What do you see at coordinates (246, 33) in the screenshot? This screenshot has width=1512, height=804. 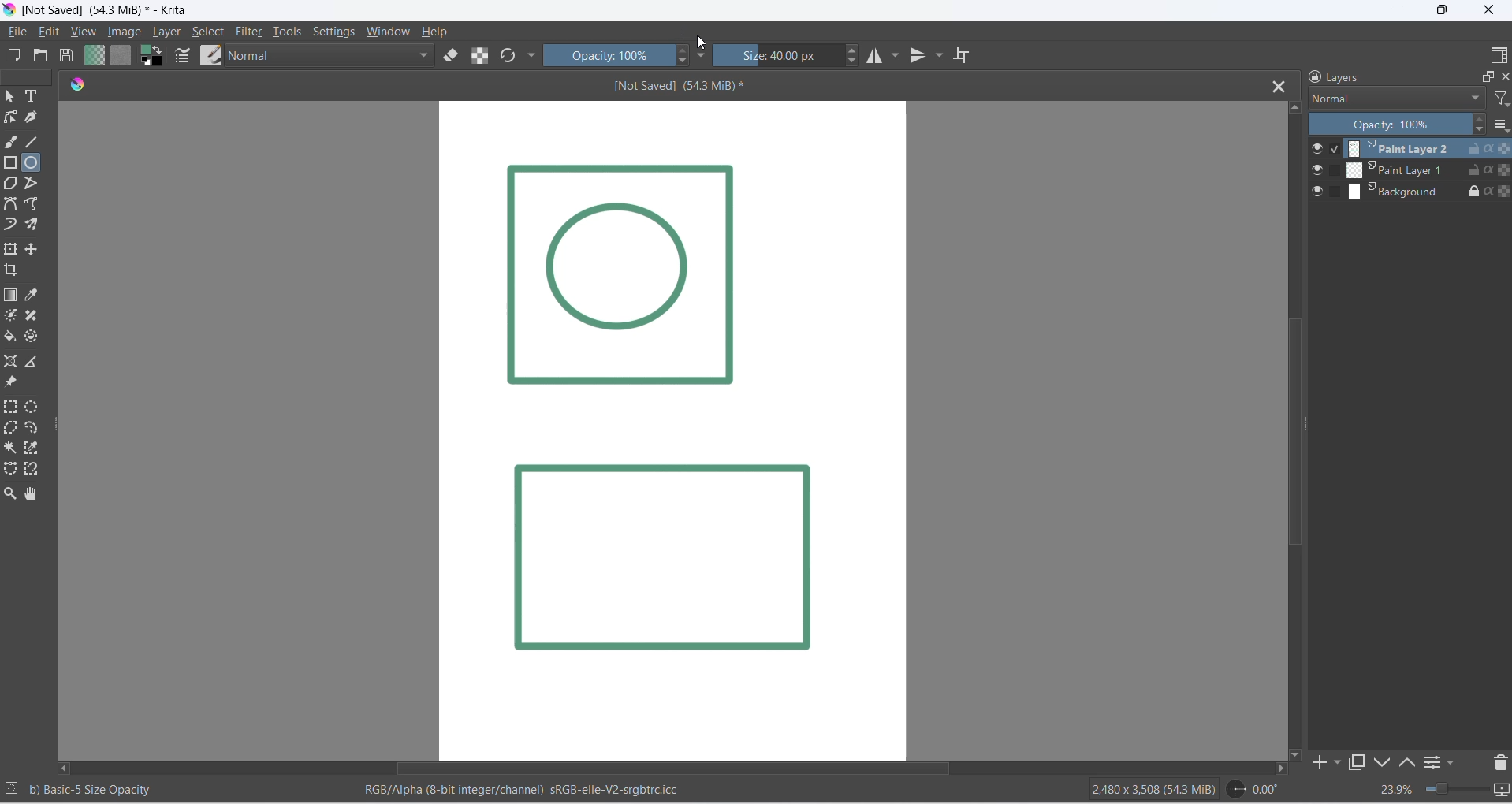 I see `filter` at bounding box center [246, 33].